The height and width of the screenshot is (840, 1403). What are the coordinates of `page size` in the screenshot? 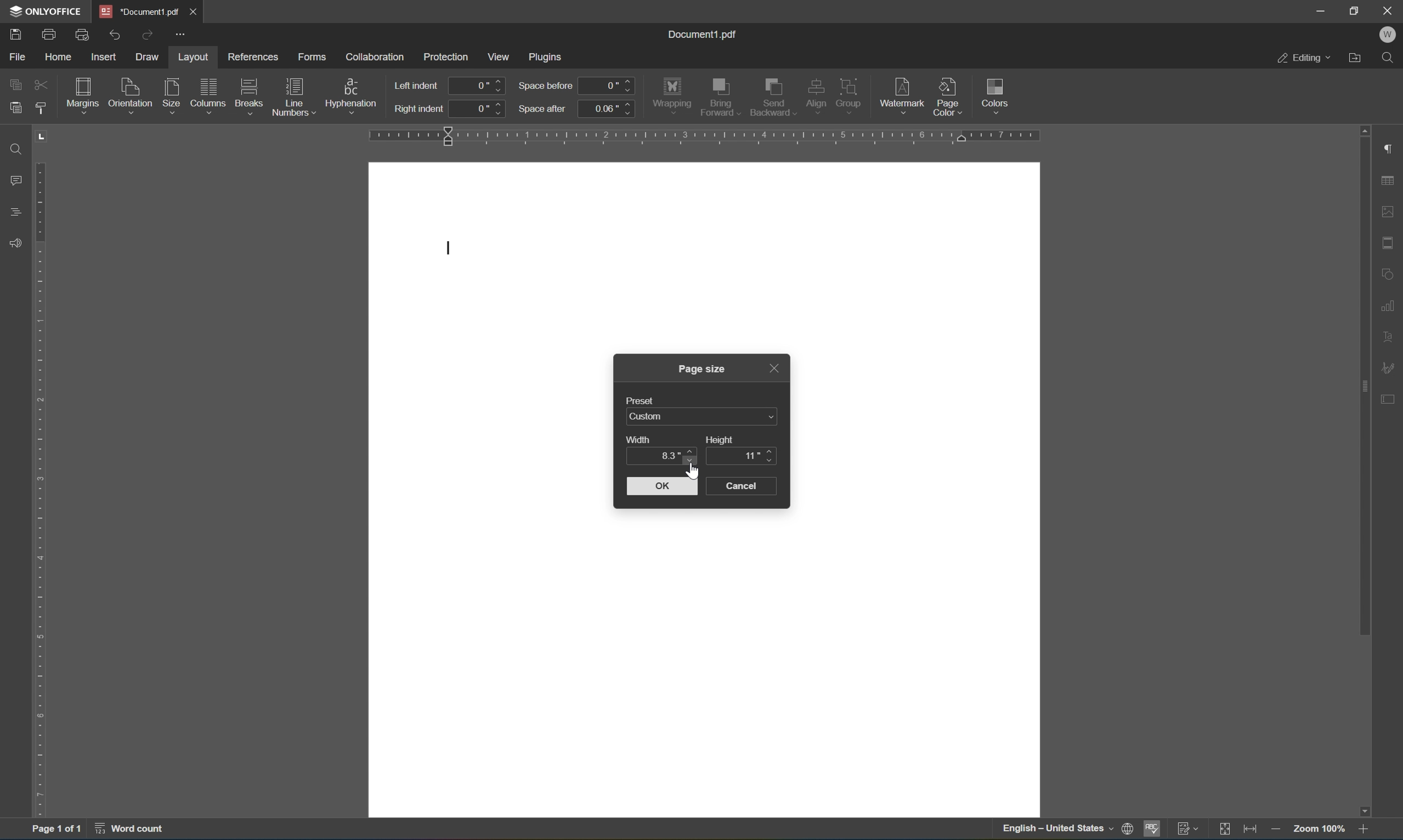 It's located at (703, 368).